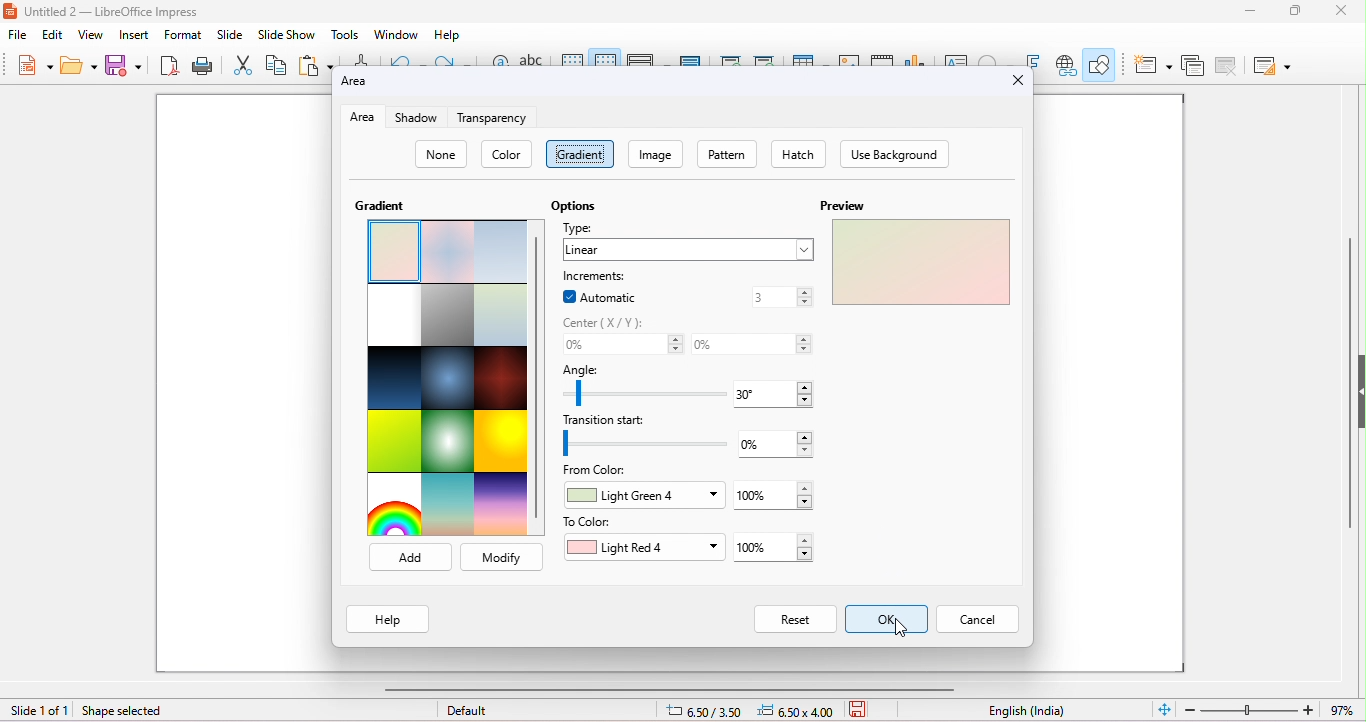 The height and width of the screenshot is (722, 1366). What do you see at coordinates (501, 379) in the screenshot?
I see `Gradient option 9` at bounding box center [501, 379].